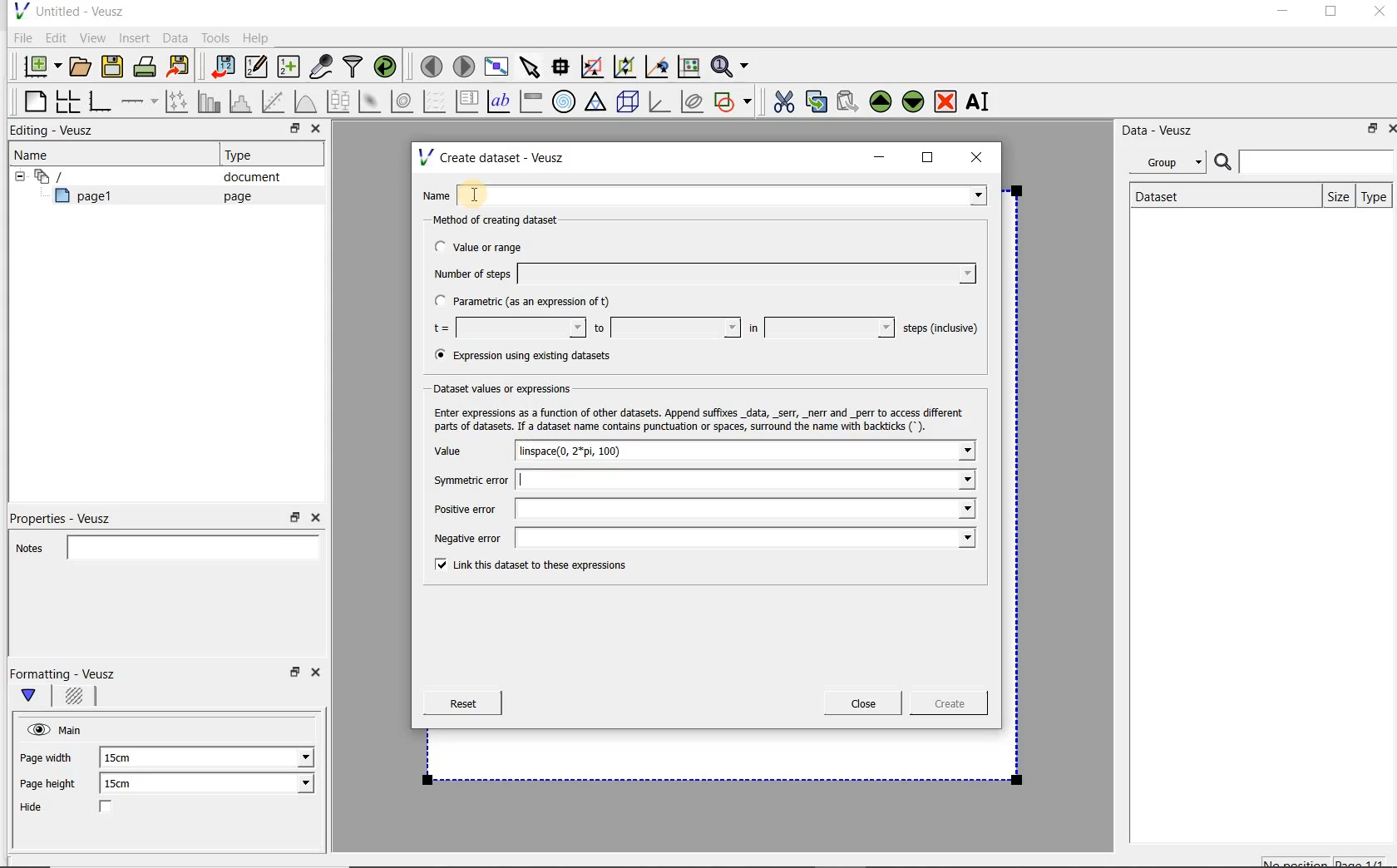 The height and width of the screenshot is (868, 1397). Describe the element at coordinates (257, 67) in the screenshot. I see `Edit and enter new datasets` at that location.